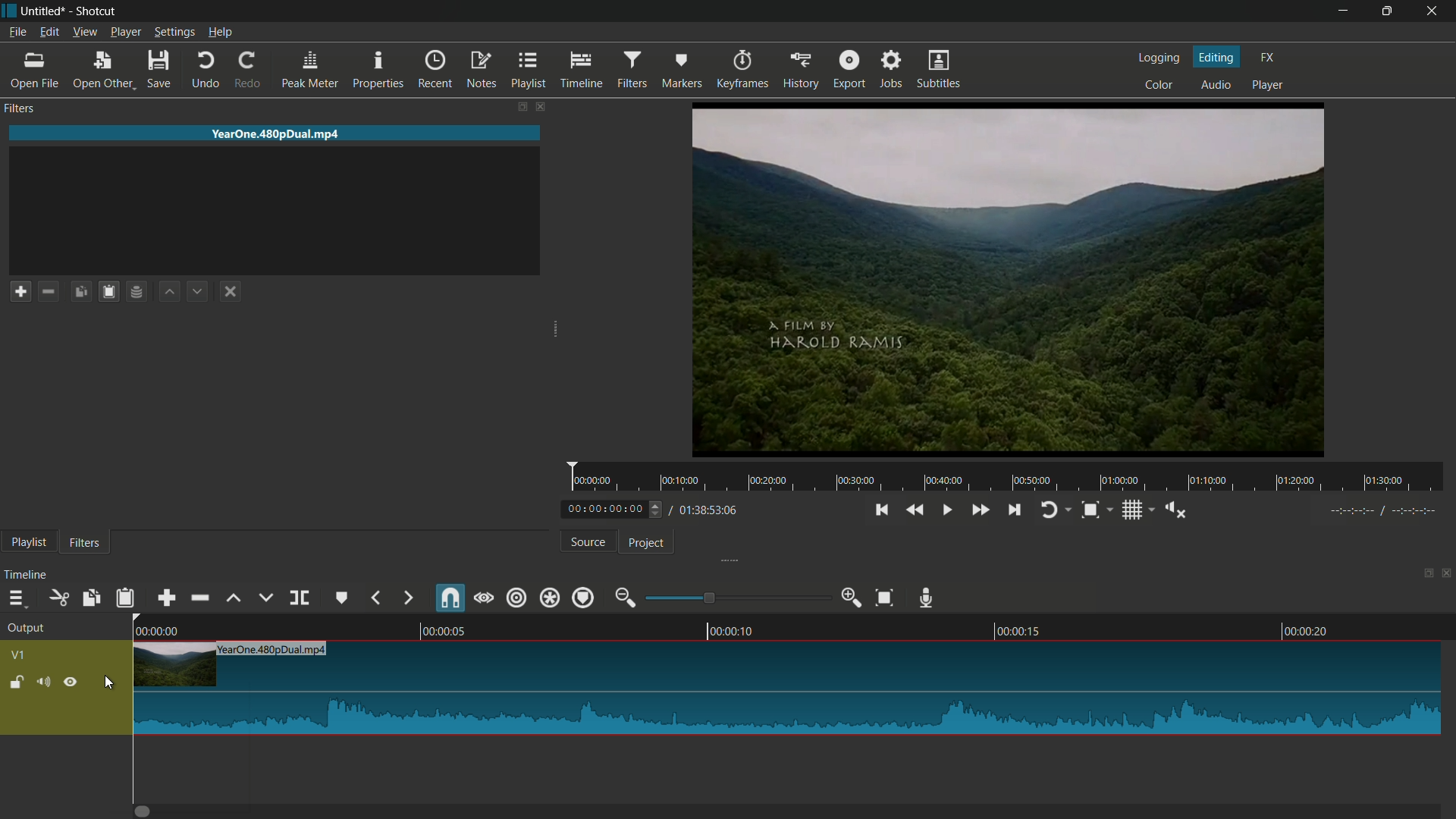  What do you see at coordinates (28, 541) in the screenshot?
I see `playlist` at bounding box center [28, 541].